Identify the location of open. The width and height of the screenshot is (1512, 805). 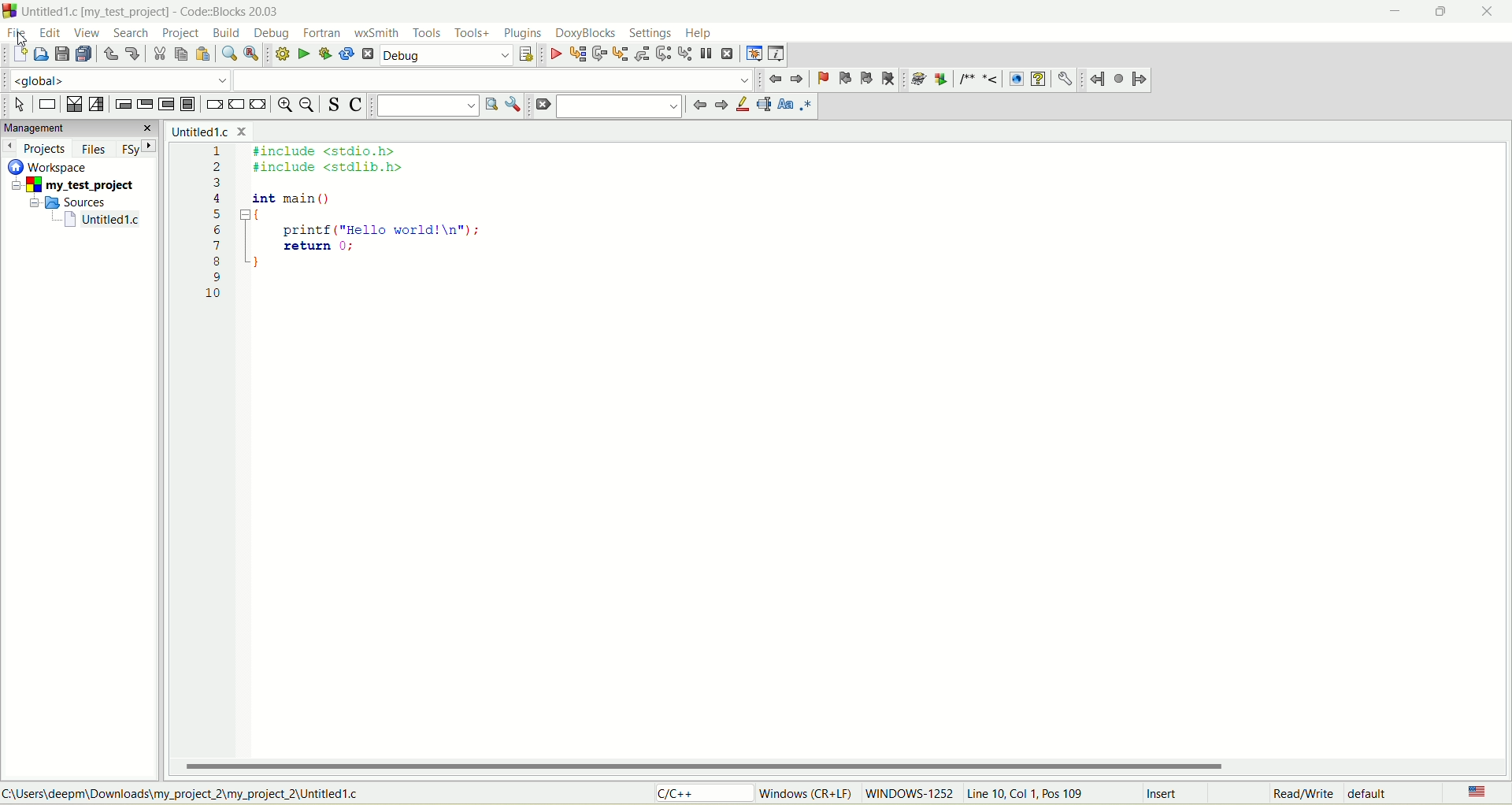
(42, 54).